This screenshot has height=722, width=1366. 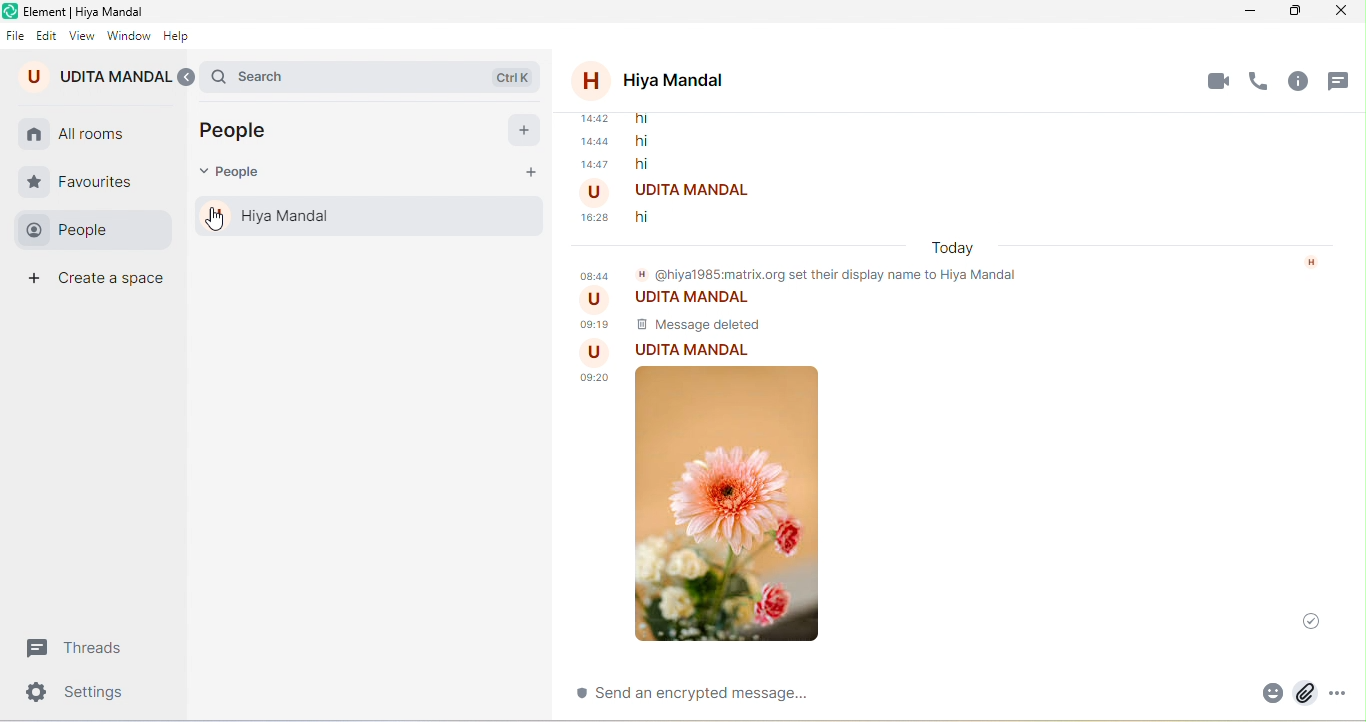 I want to click on time, so click(x=596, y=326).